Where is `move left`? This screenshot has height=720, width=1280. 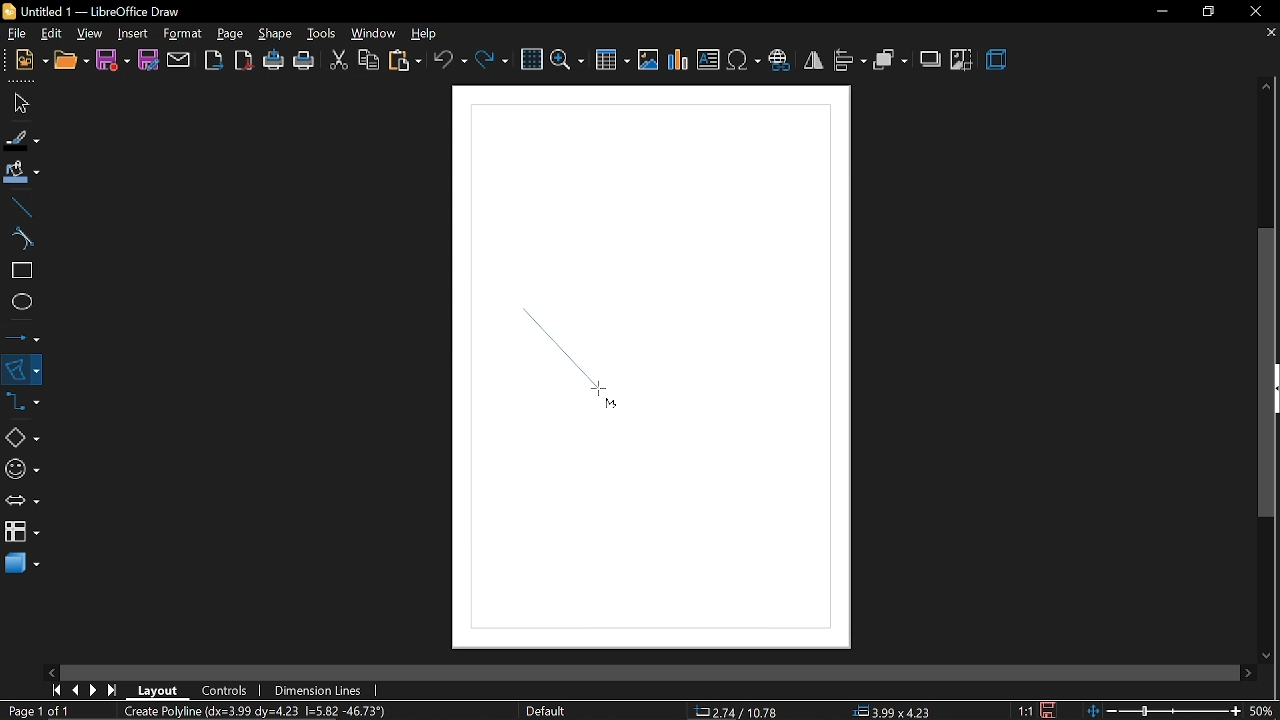 move left is located at coordinates (51, 671).